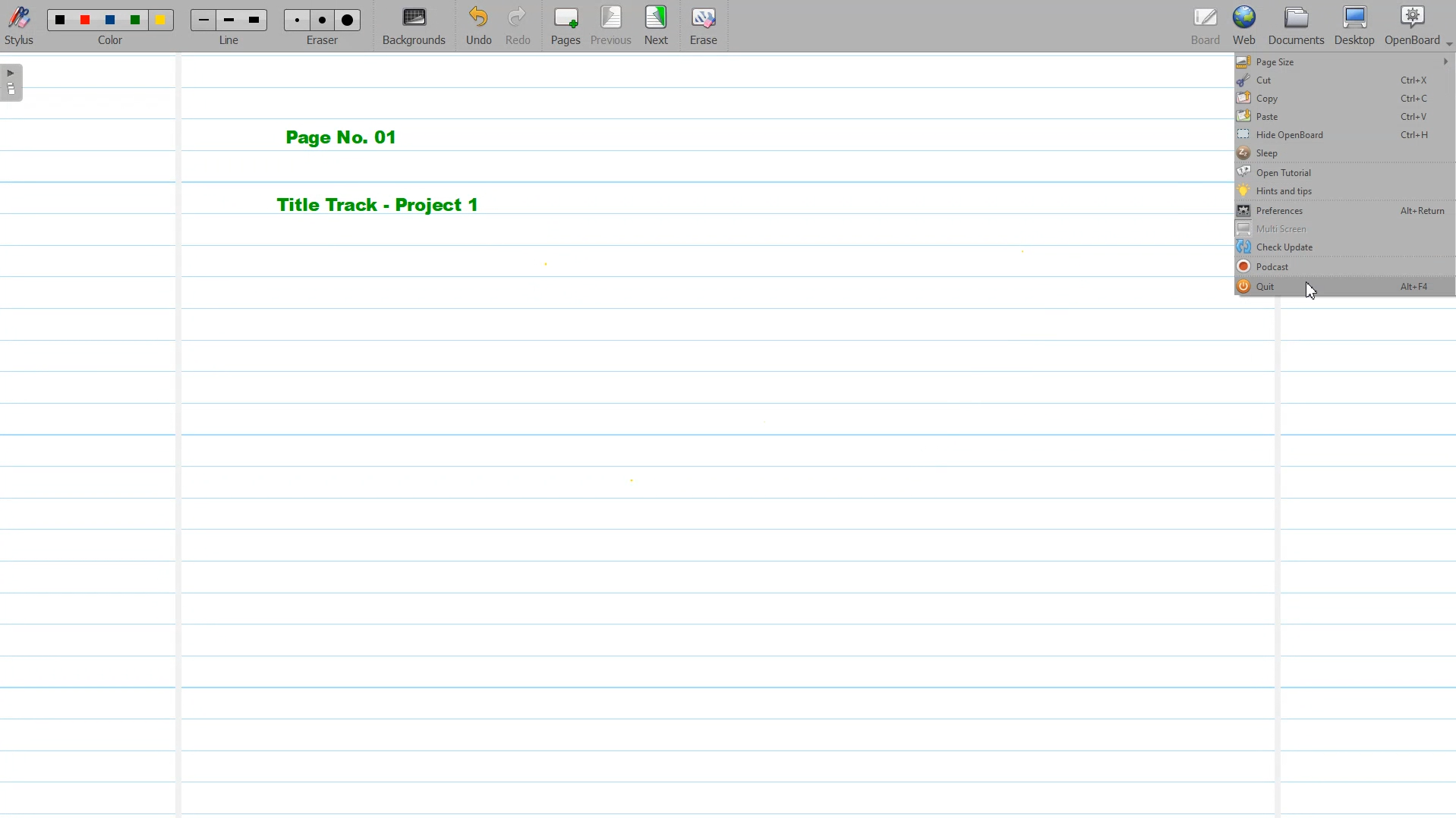 This screenshot has height=818, width=1456. Describe the element at coordinates (1346, 210) in the screenshot. I see `Preferences` at that location.